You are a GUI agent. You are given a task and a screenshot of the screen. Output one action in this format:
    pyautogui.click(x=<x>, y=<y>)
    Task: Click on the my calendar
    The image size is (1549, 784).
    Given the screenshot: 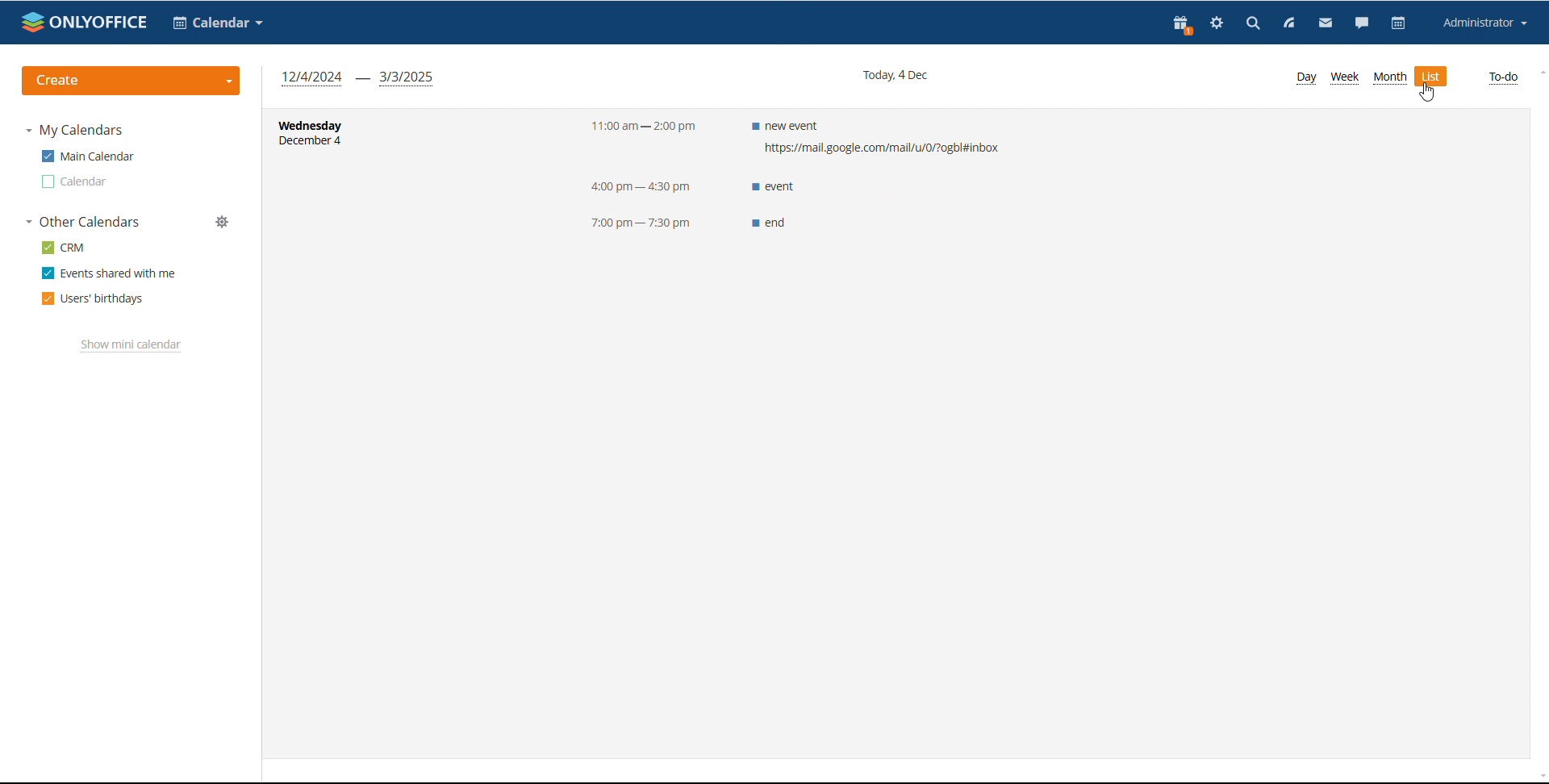 What is the action you would take?
    pyautogui.click(x=74, y=131)
    